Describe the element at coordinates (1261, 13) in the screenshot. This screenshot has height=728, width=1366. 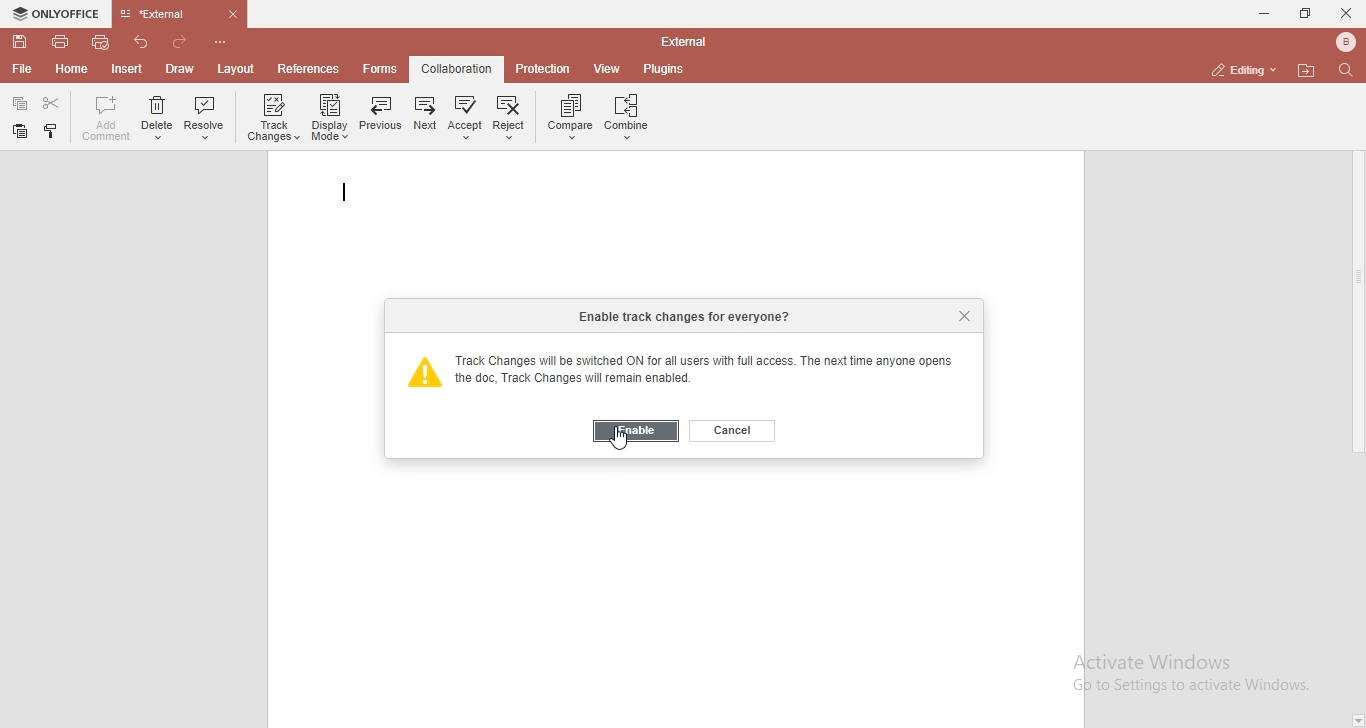
I see `minimise` at that location.